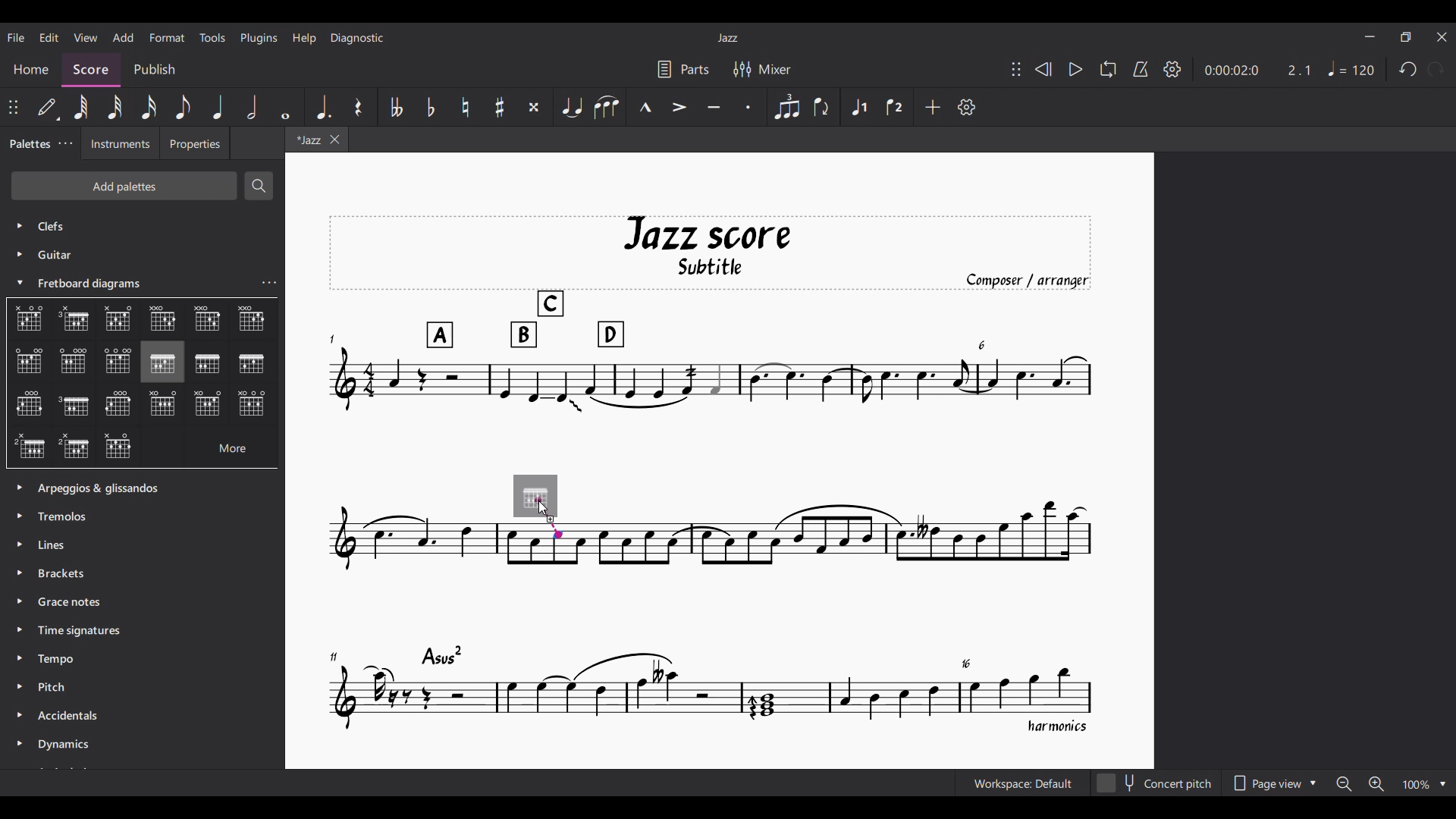 The height and width of the screenshot is (819, 1456). I want to click on 32nd note, so click(115, 107).